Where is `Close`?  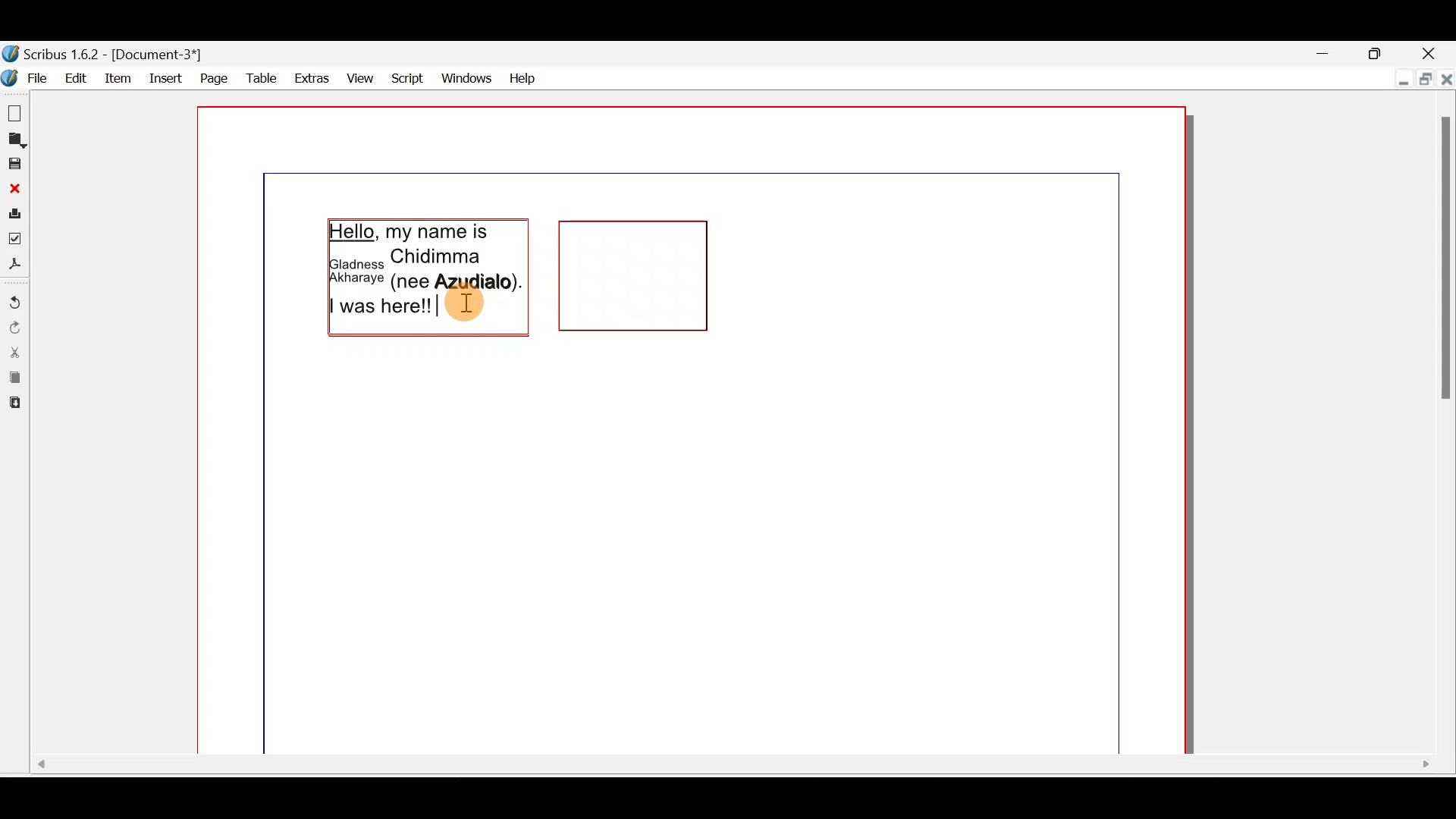 Close is located at coordinates (1446, 76).